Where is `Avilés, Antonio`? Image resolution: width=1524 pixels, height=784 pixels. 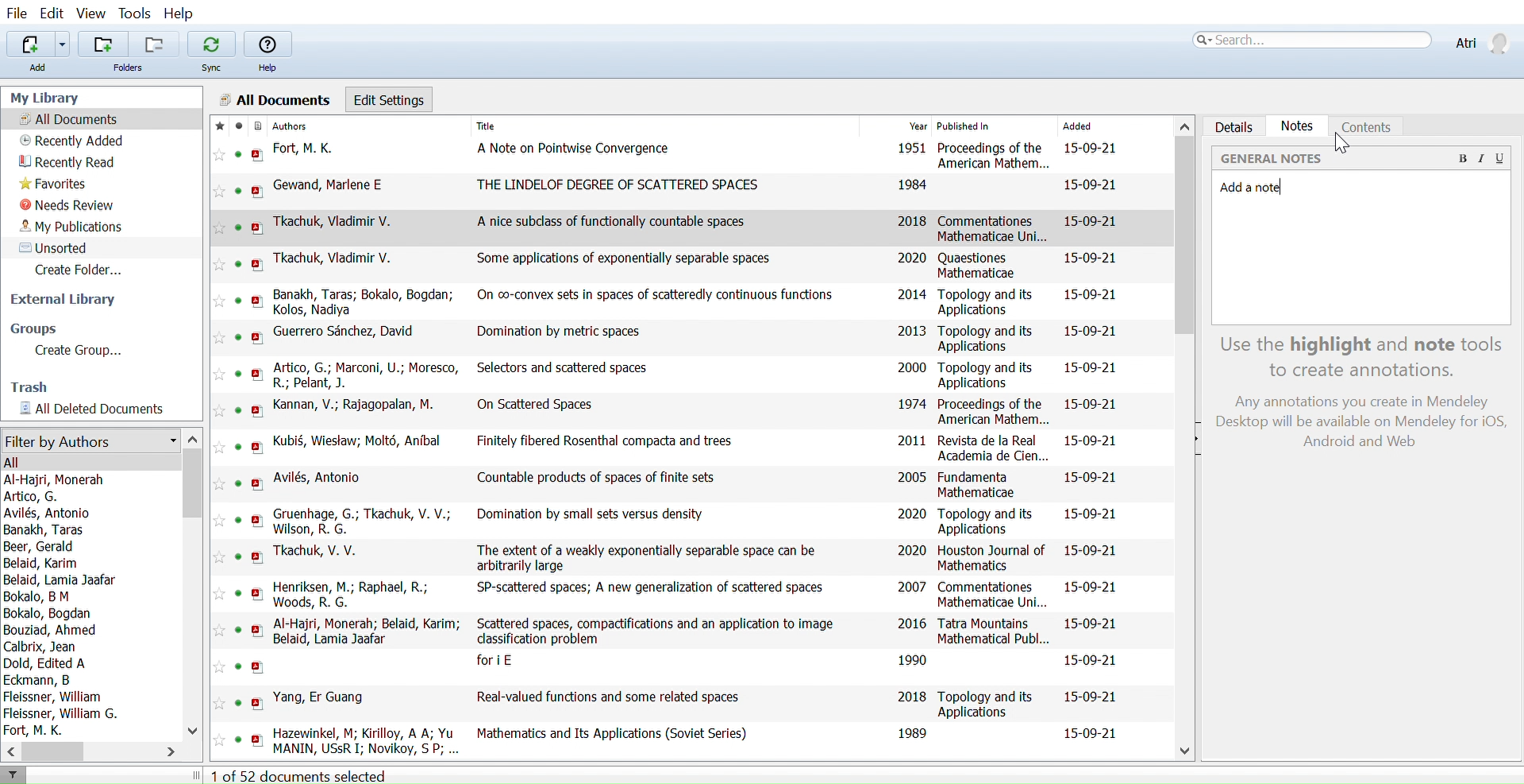
Avilés, Antonio is located at coordinates (317, 476).